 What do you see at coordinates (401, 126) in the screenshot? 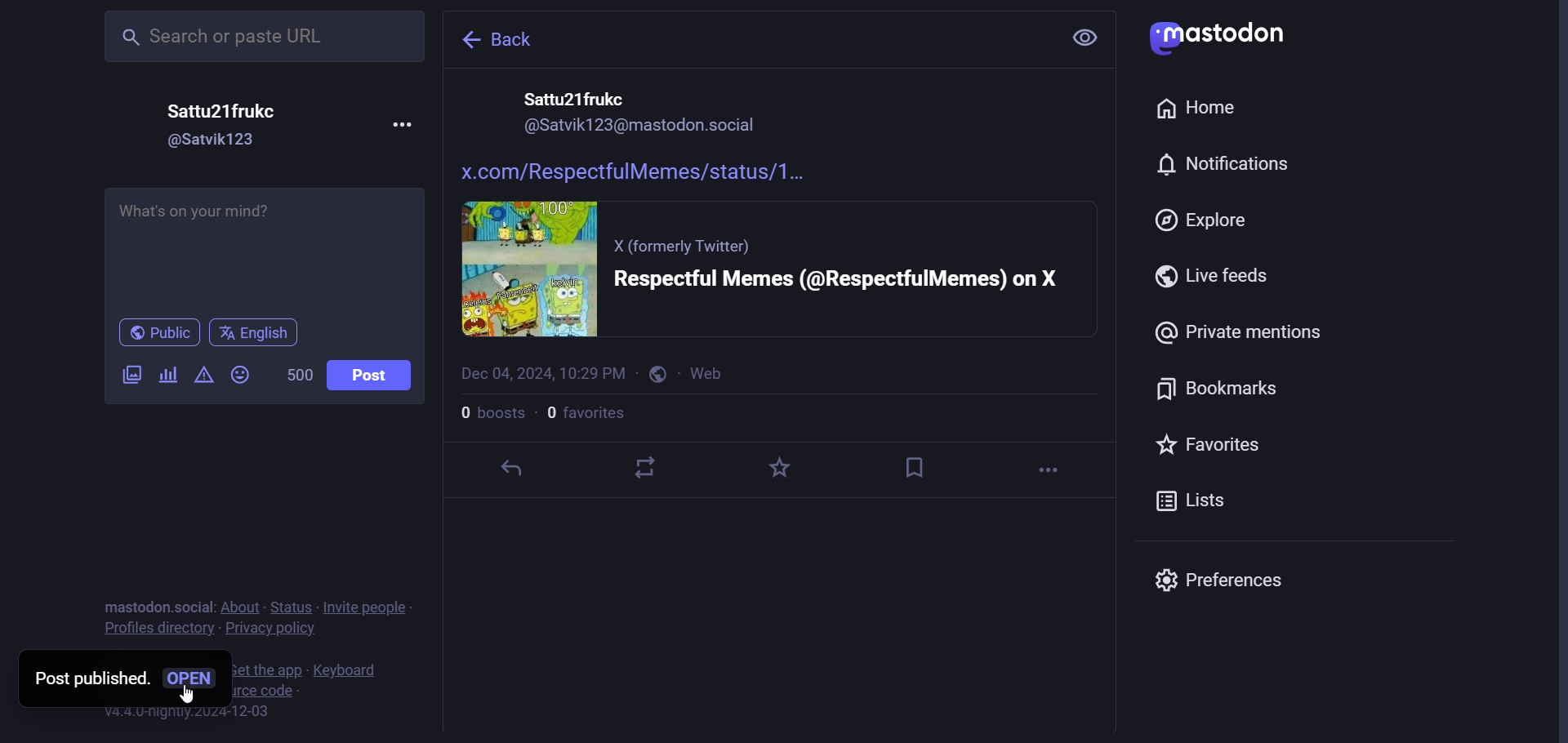
I see `more` at bounding box center [401, 126].